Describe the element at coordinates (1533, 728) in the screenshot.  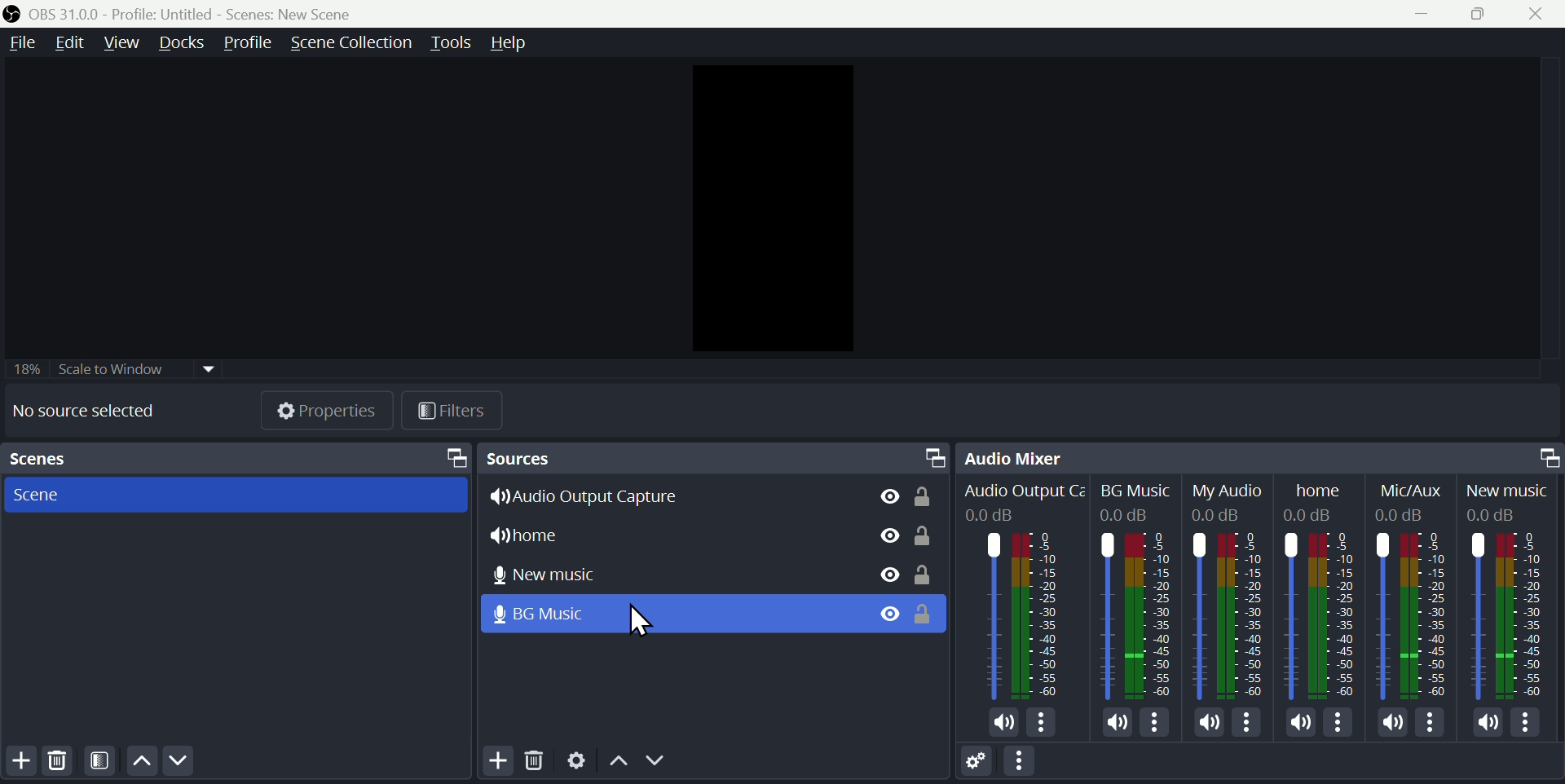
I see `More` at that location.